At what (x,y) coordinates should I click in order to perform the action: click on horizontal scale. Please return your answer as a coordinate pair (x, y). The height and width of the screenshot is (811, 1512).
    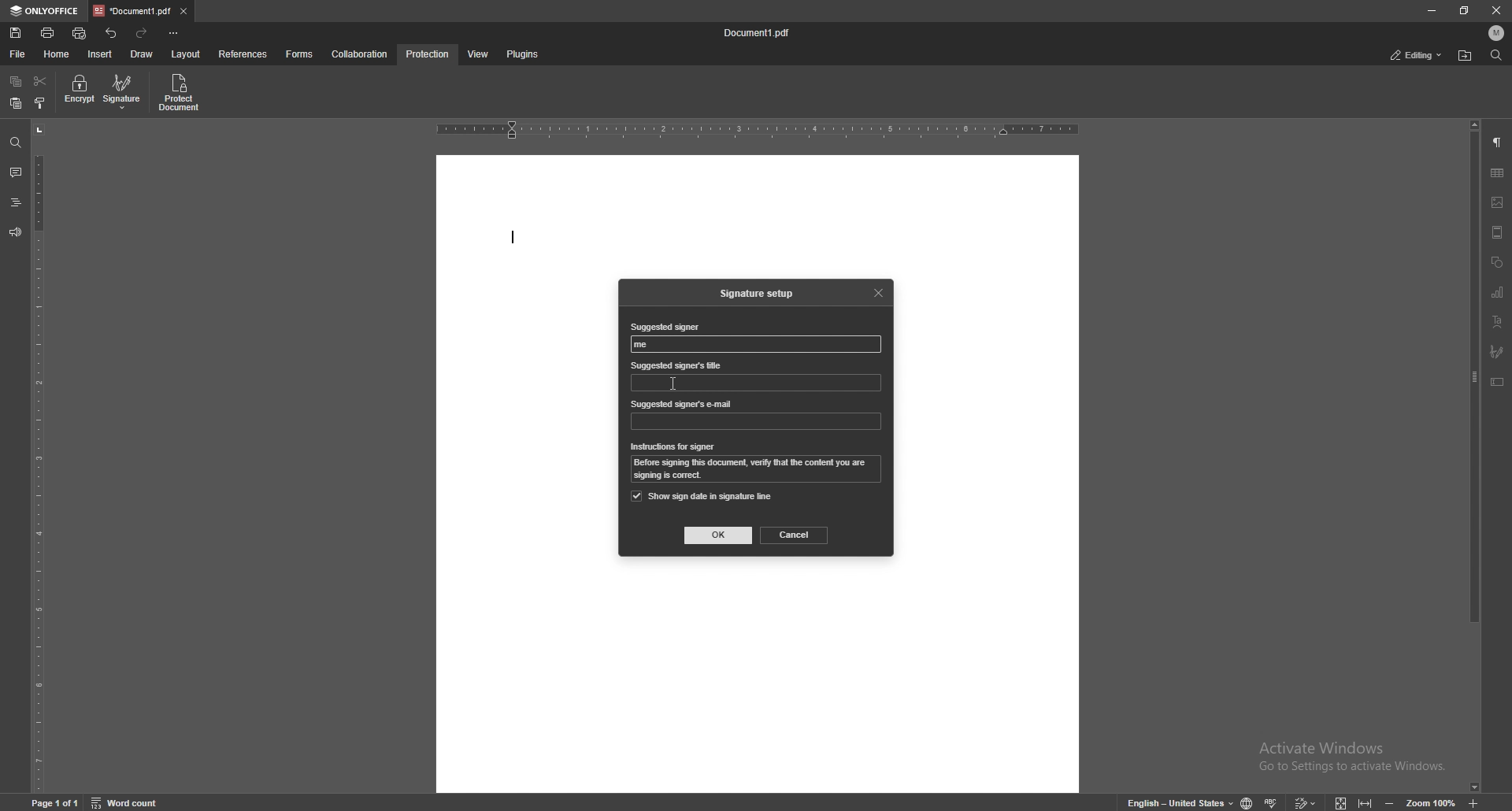
    Looking at the image, I should click on (758, 131).